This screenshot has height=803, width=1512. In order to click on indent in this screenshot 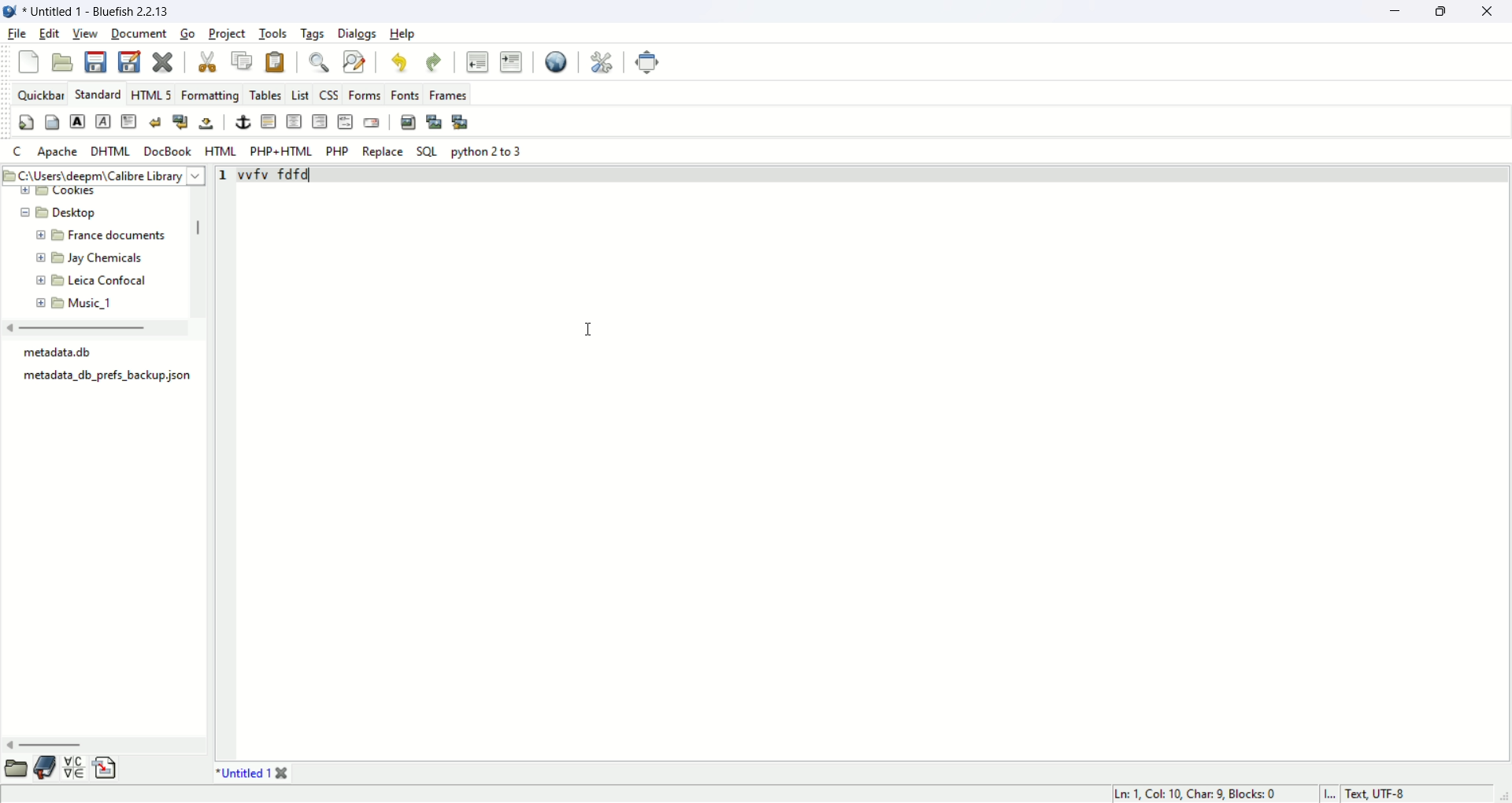, I will do `click(511, 61)`.